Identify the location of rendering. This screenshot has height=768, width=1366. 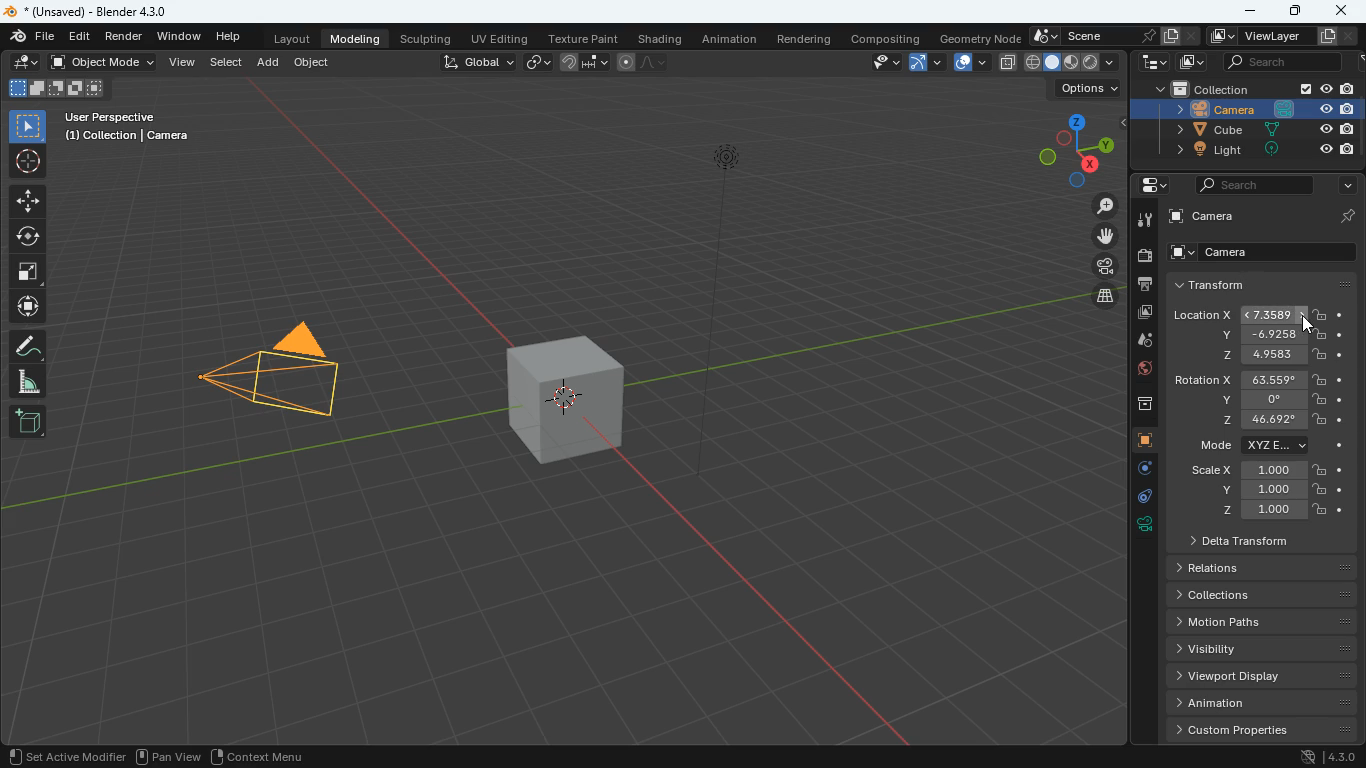
(805, 38).